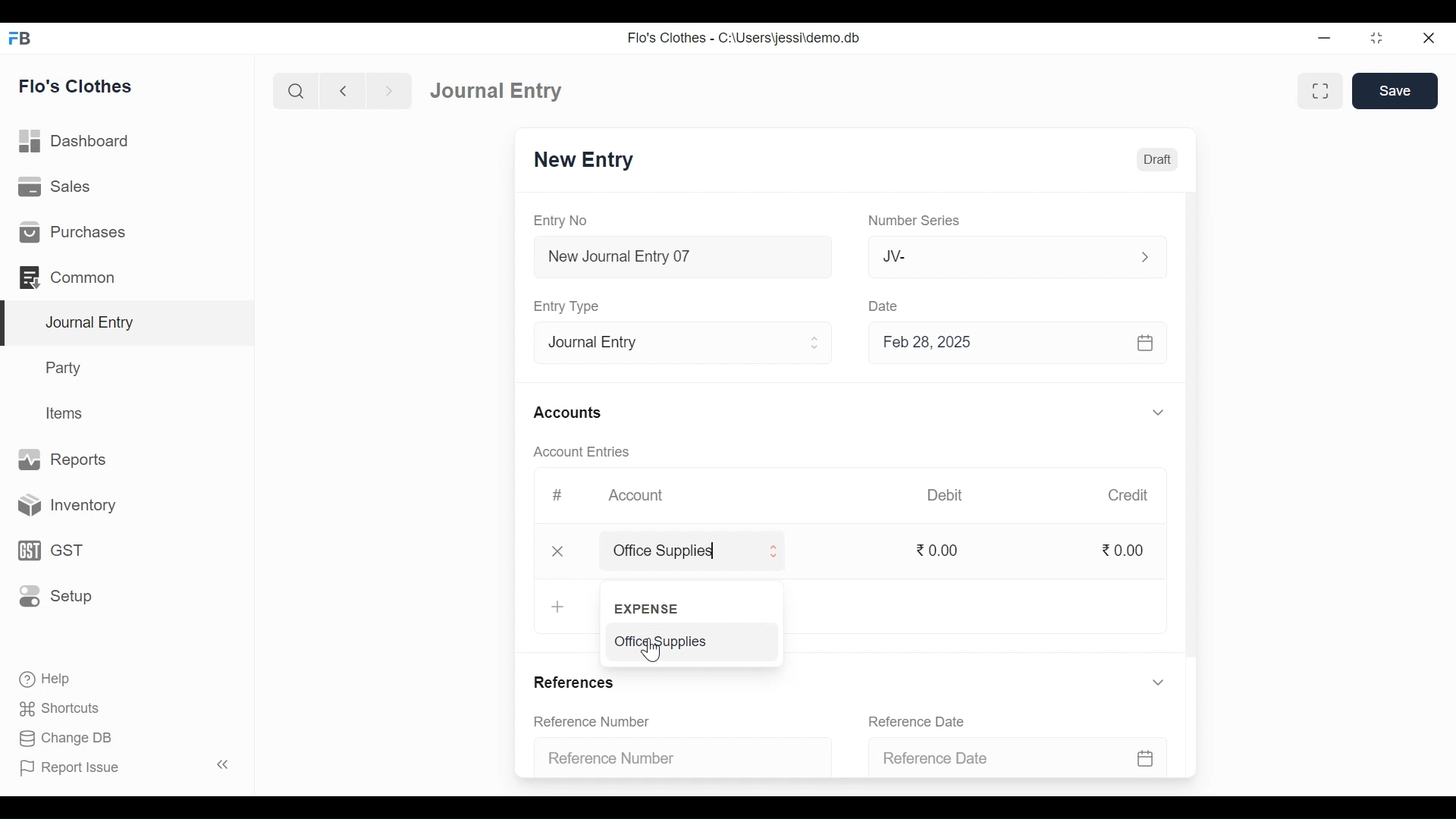  I want to click on Cursor, so click(654, 652).